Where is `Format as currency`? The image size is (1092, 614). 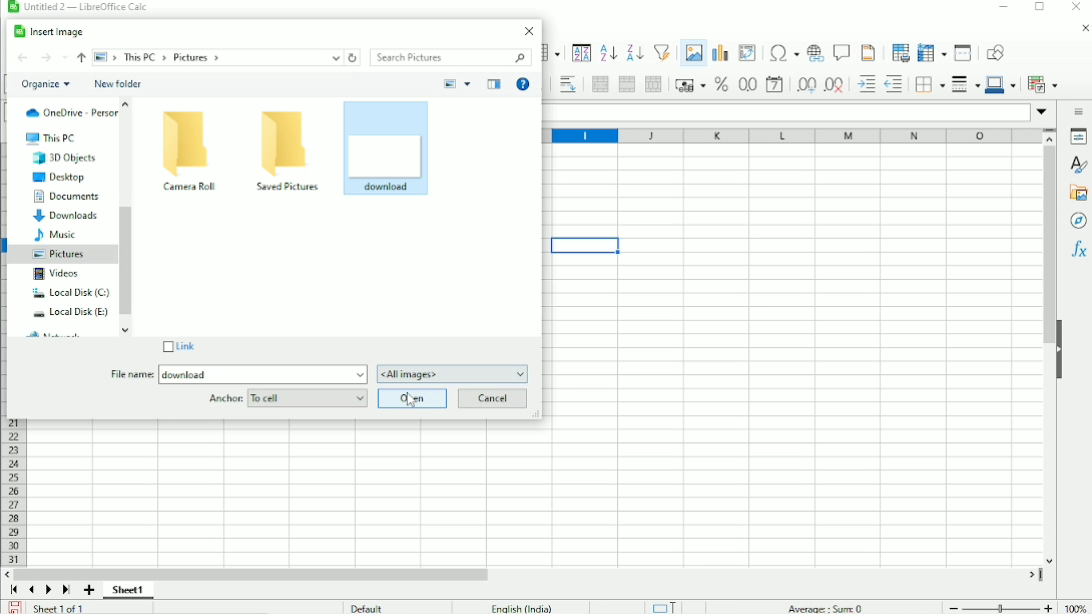 Format as currency is located at coordinates (688, 86).